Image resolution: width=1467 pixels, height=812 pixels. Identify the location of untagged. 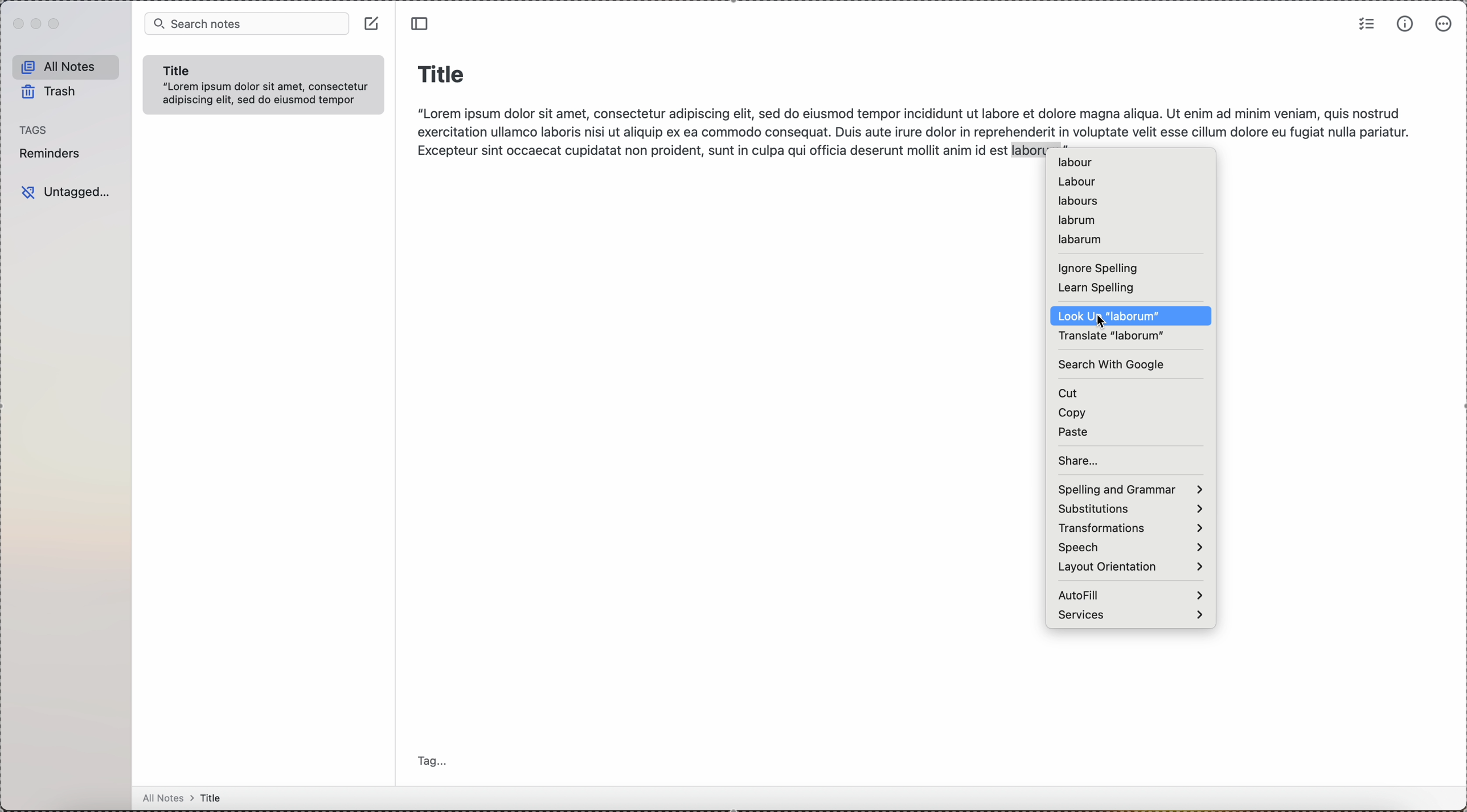
(65, 193).